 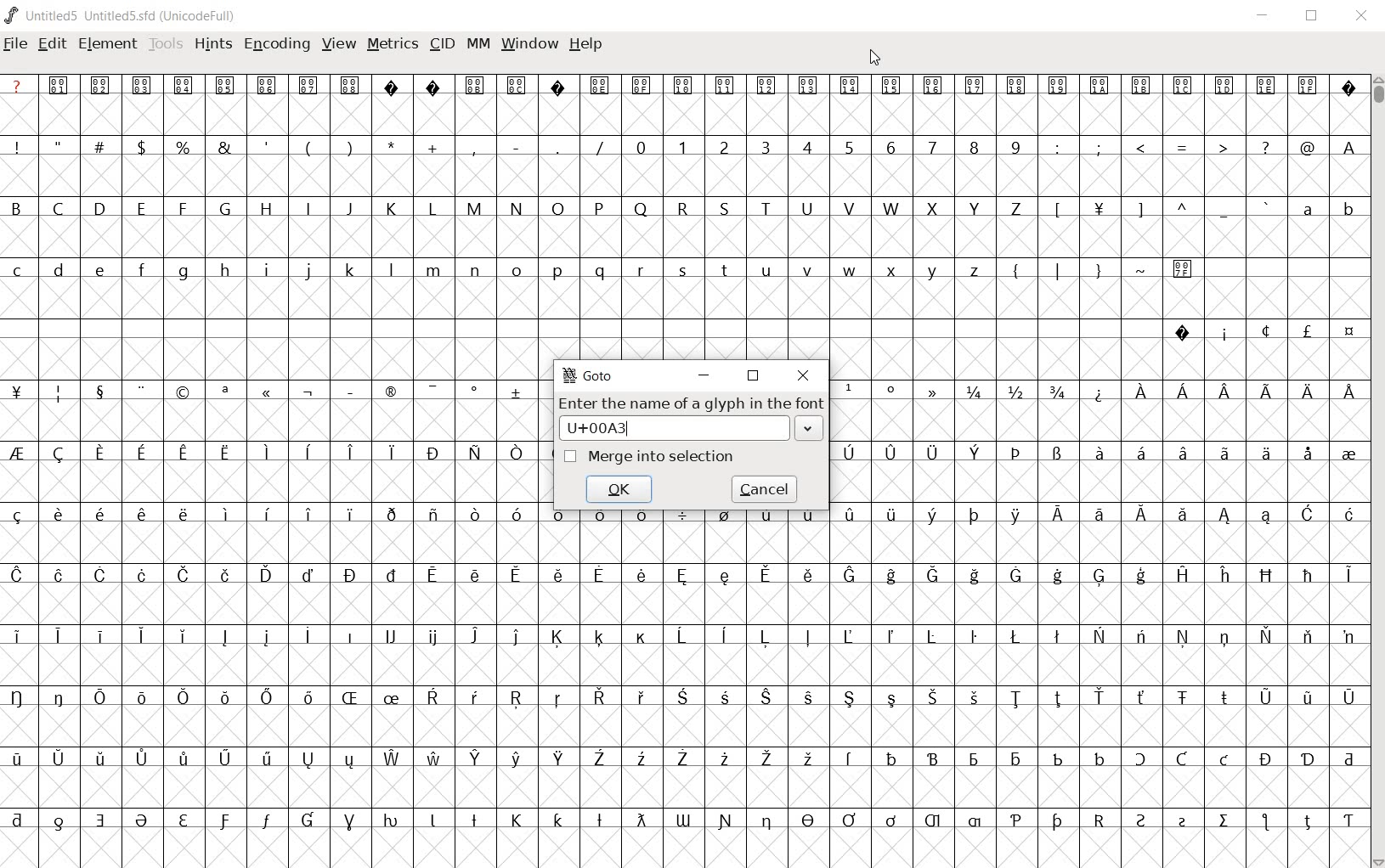 What do you see at coordinates (529, 46) in the screenshot?
I see `WINDOW` at bounding box center [529, 46].